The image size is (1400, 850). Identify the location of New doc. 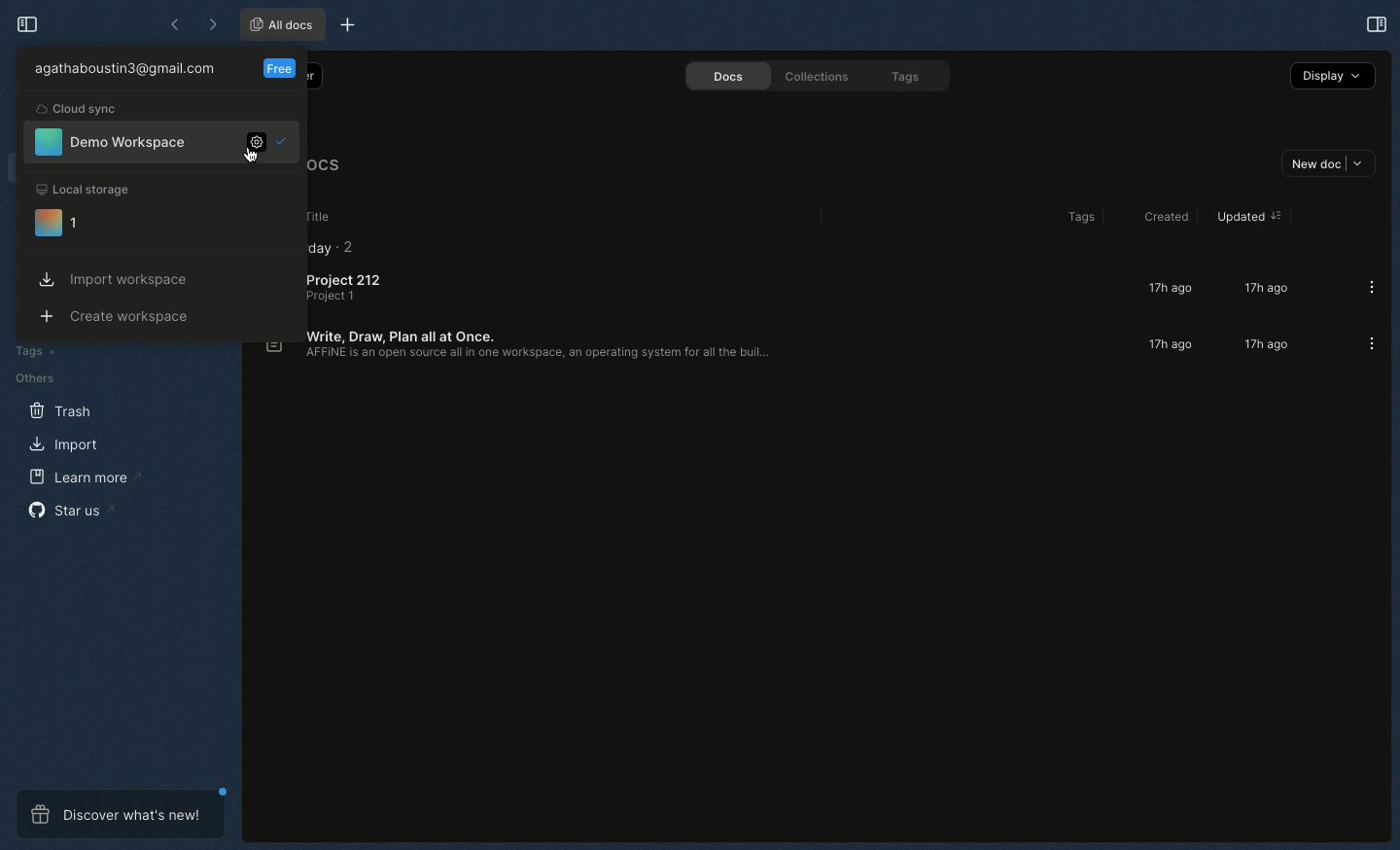
(1326, 164).